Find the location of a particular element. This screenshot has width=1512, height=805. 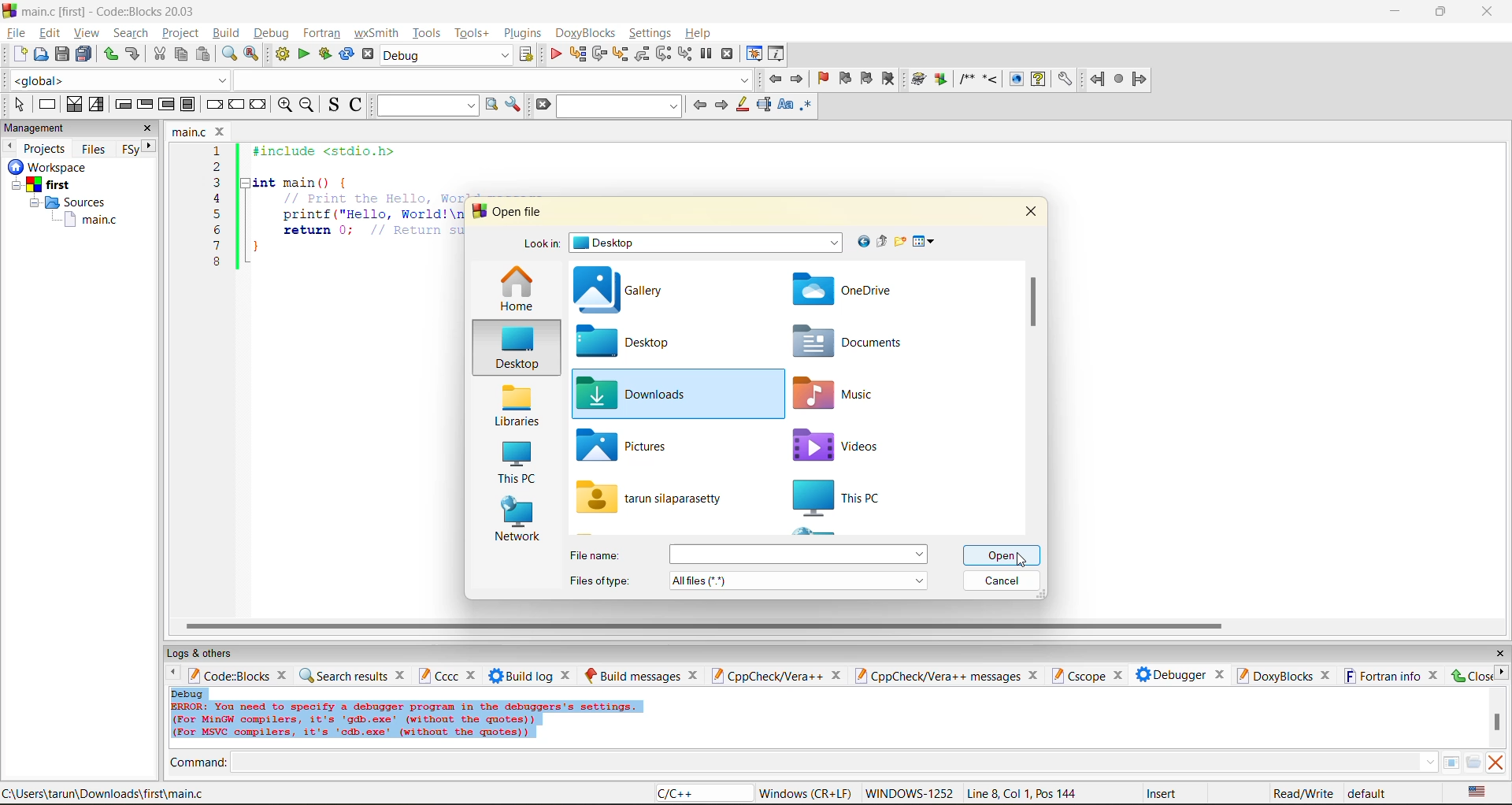

logo is located at coordinates (9, 9).